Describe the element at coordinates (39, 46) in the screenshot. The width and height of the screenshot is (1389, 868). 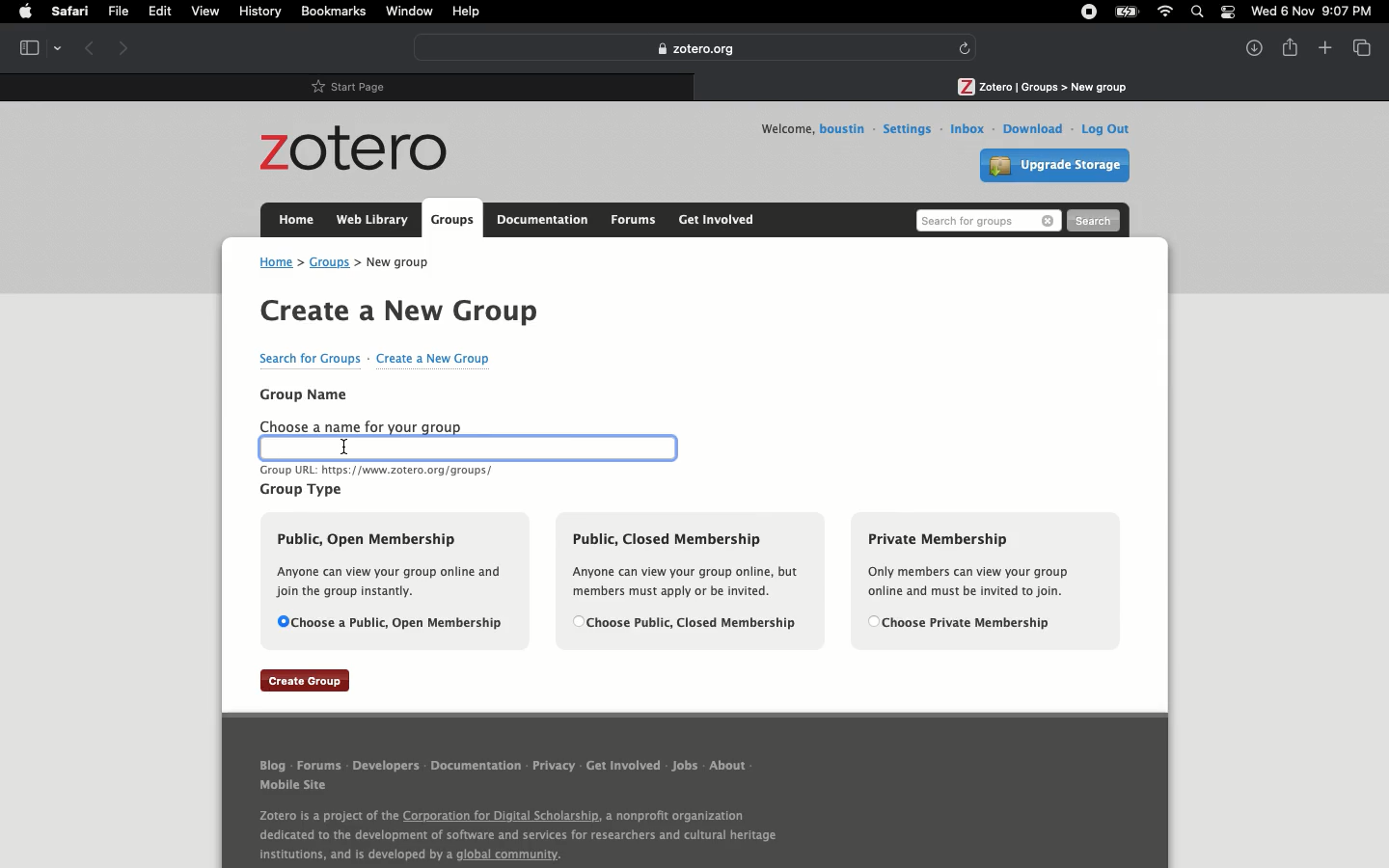
I see `Tab view` at that location.